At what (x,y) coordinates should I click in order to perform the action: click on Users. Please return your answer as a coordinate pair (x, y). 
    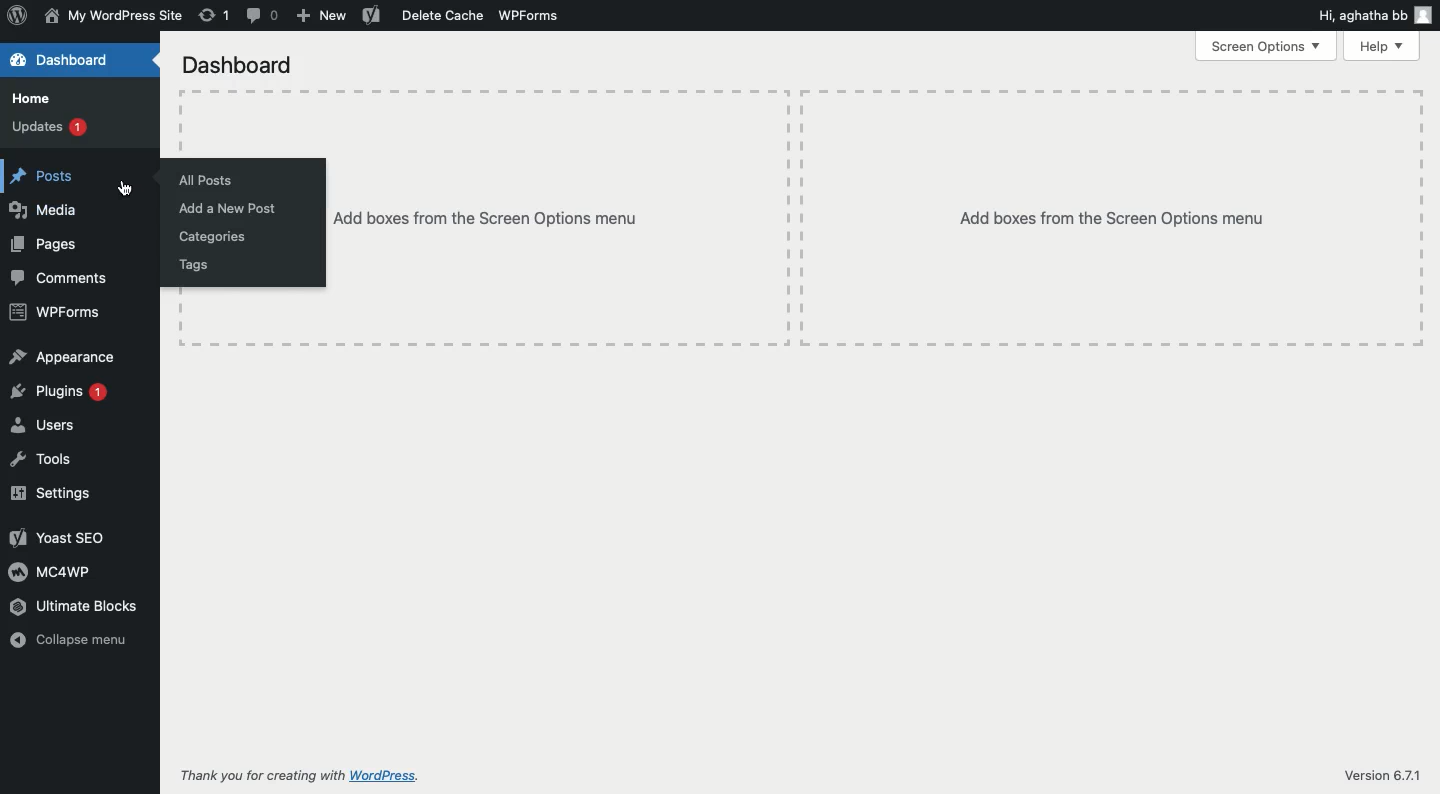
    Looking at the image, I should click on (53, 426).